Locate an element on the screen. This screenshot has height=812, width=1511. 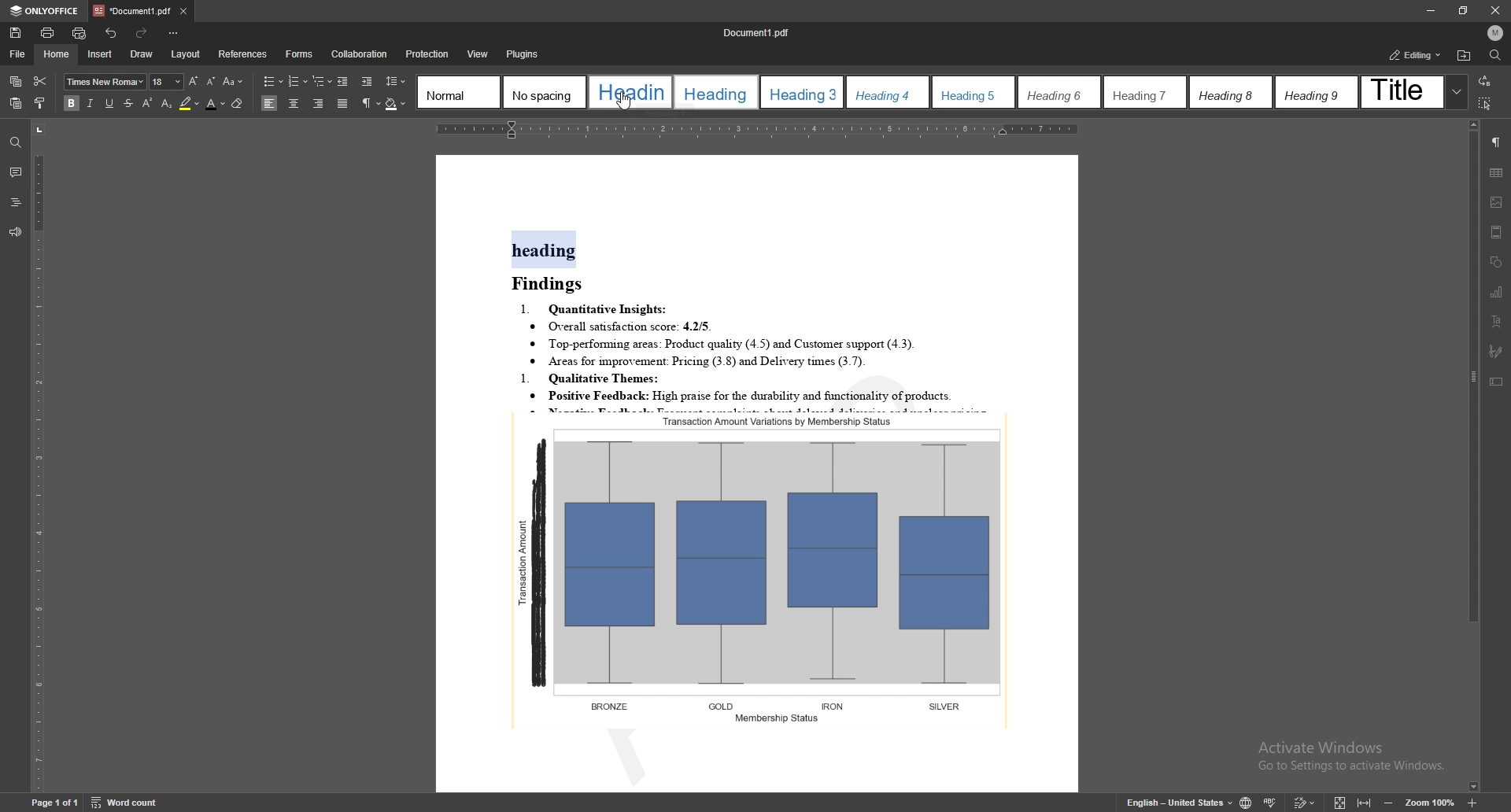
View is located at coordinates (476, 54).